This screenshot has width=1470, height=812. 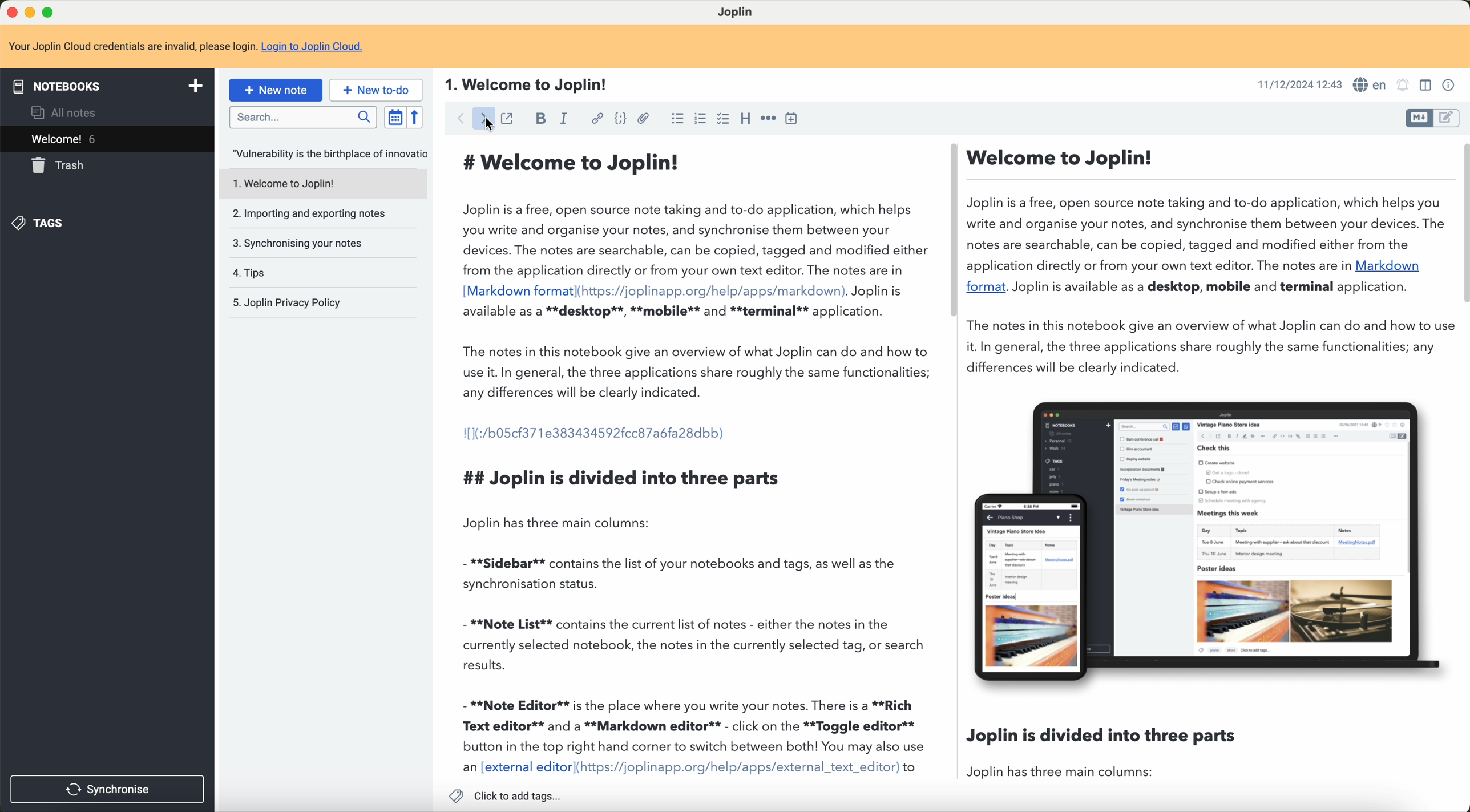 What do you see at coordinates (1213, 346) in the screenshot?
I see `The notes in this notebook give an overview of what Joplin can do and how to use
it. In general, the three applications share roughly the same functionalities; any
differences will be clearly indicated.` at bounding box center [1213, 346].